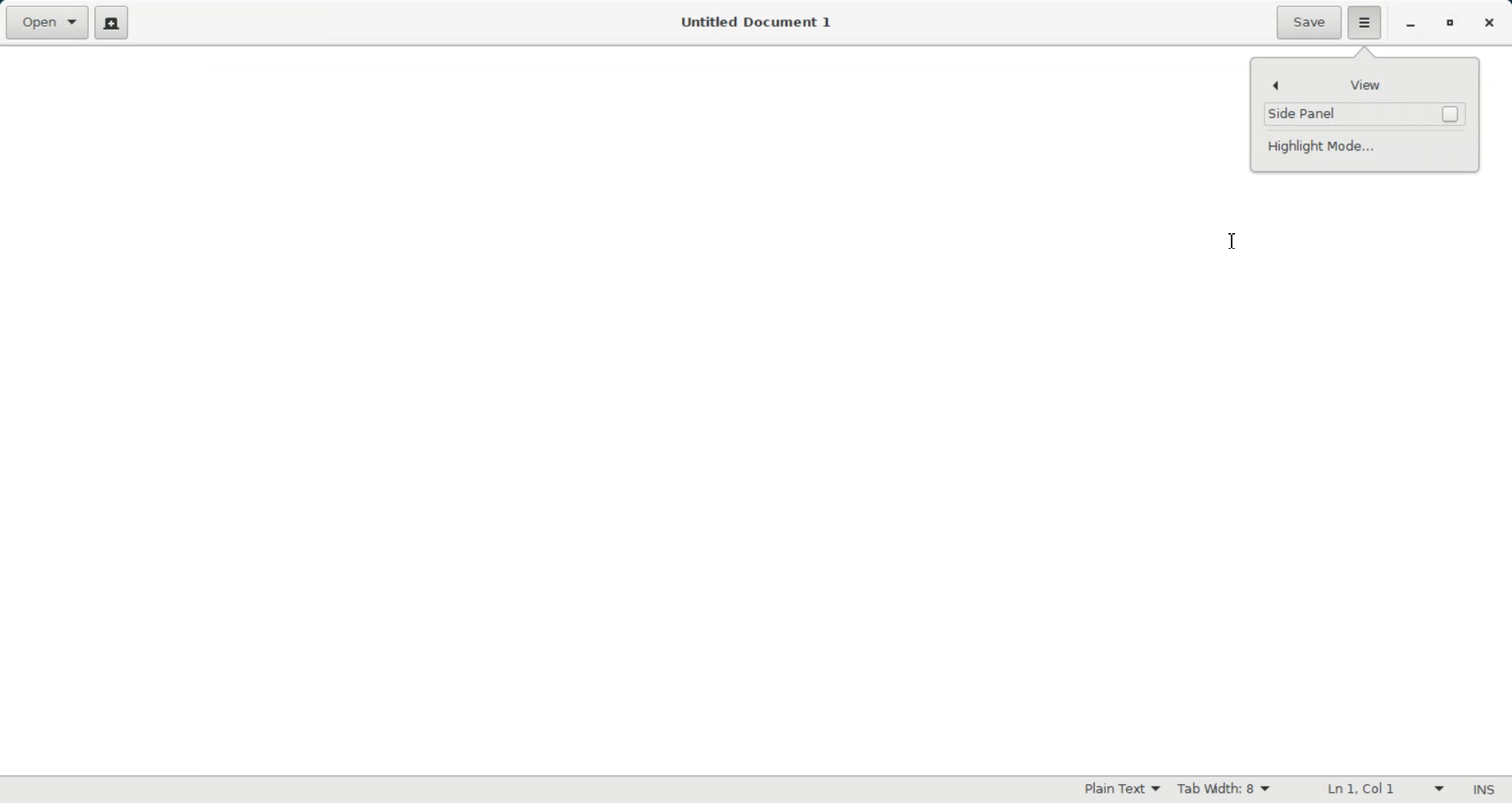  What do you see at coordinates (1364, 84) in the screenshot?
I see `View` at bounding box center [1364, 84].